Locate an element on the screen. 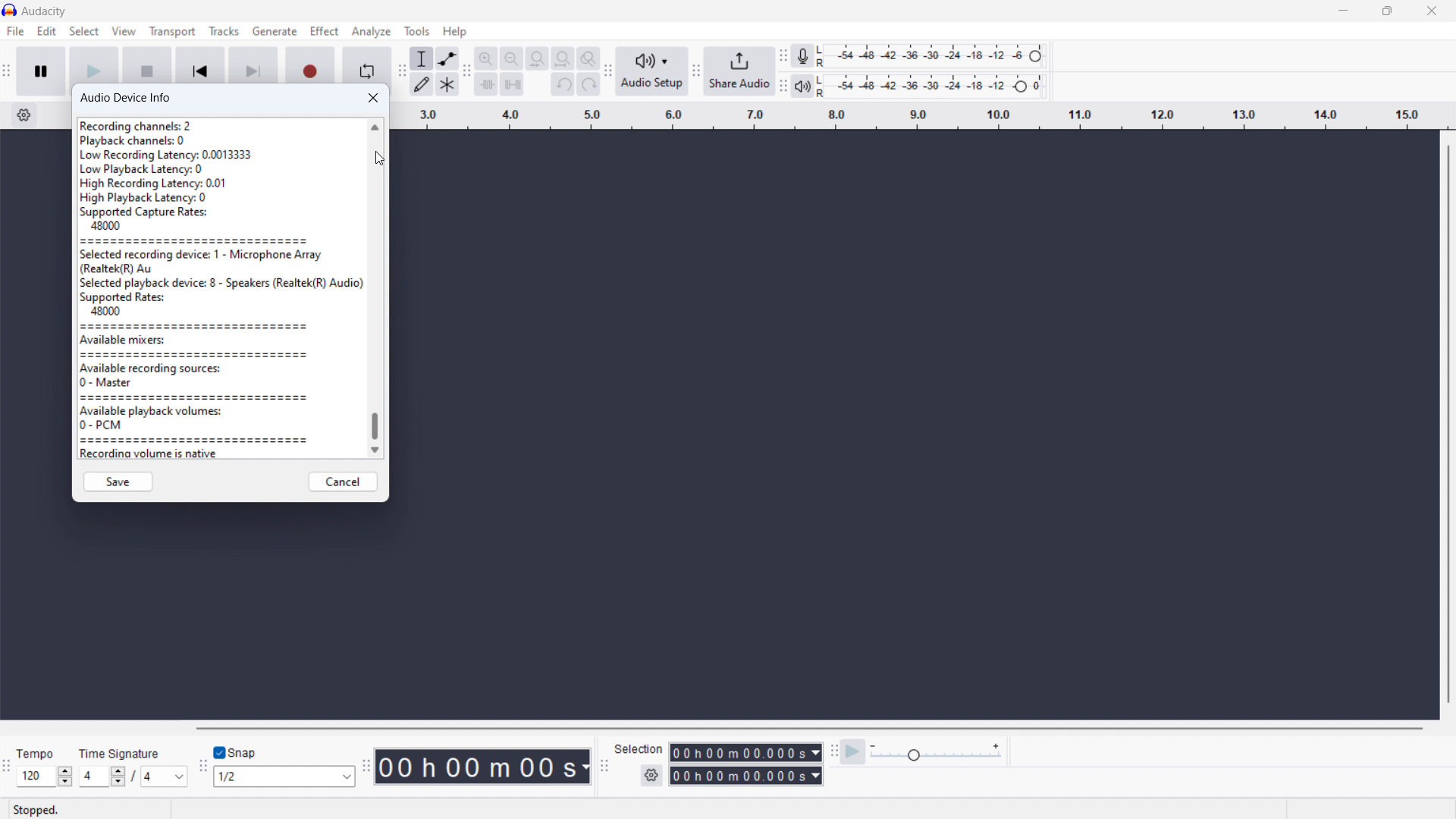 This screenshot has width=1456, height=819. file is located at coordinates (14, 31).